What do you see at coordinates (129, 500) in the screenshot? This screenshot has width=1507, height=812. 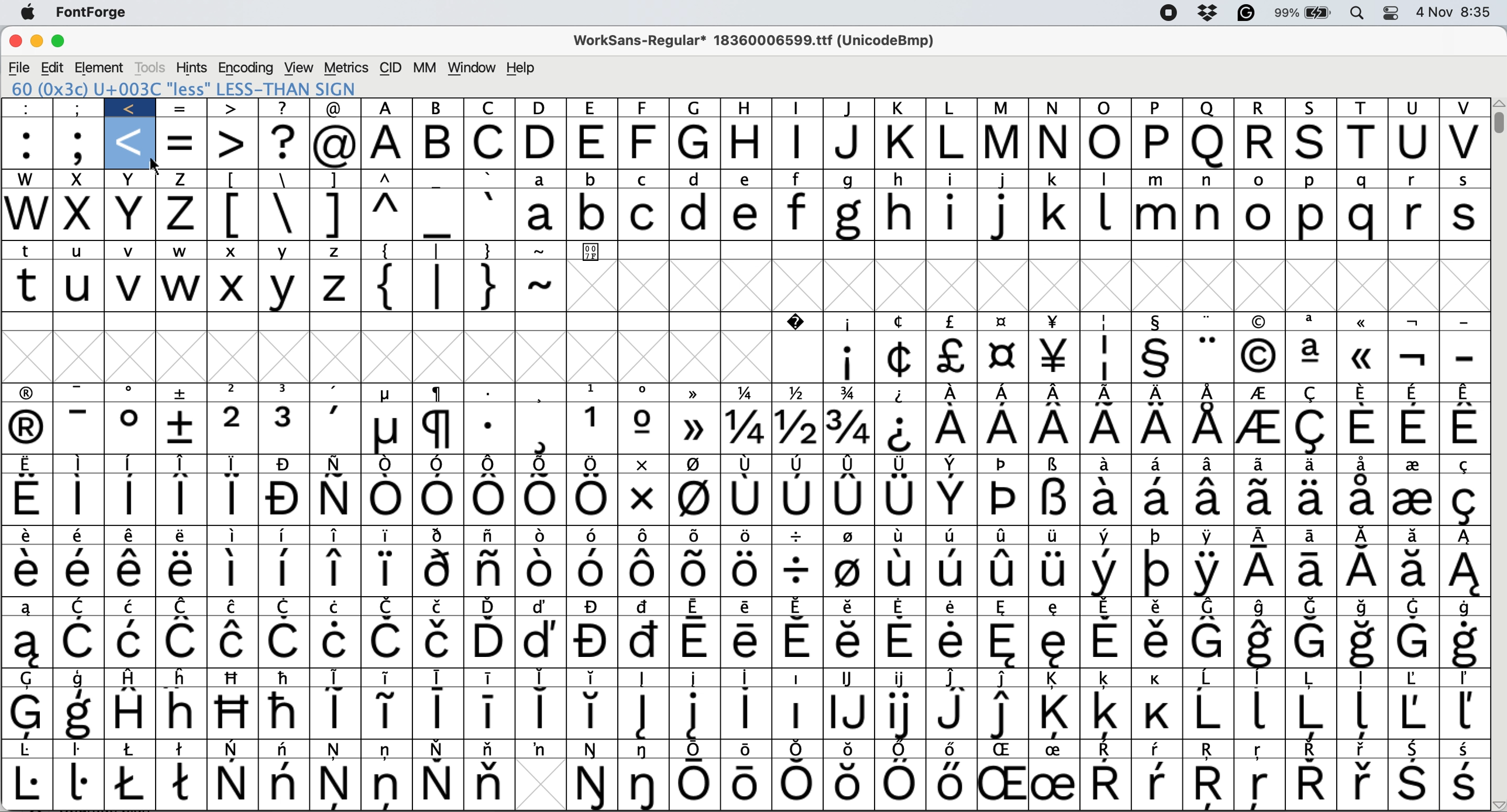 I see `Symbol` at bounding box center [129, 500].